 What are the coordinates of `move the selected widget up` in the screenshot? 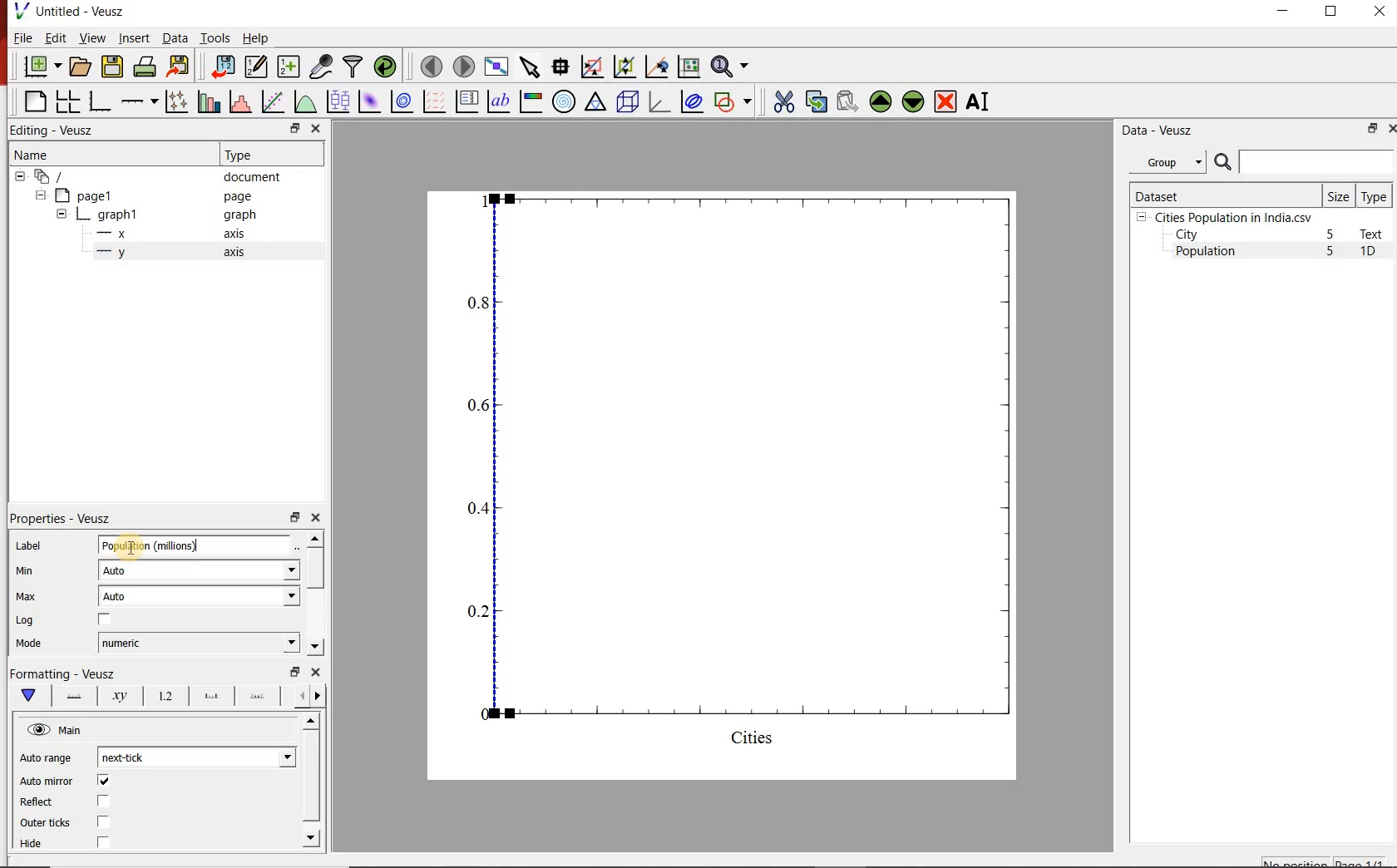 It's located at (881, 101).